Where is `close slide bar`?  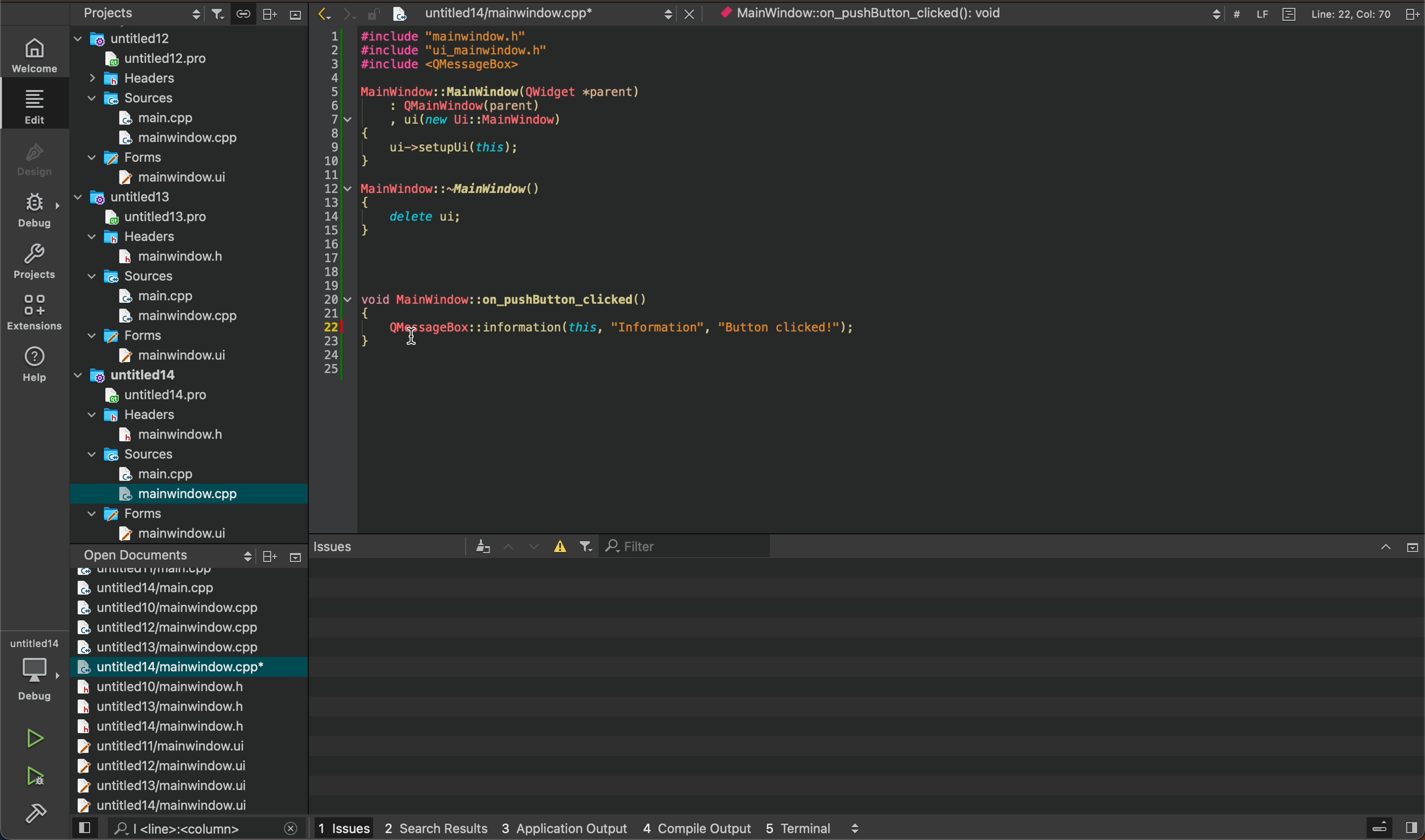 close slide bar is located at coordinates (1394, 547).